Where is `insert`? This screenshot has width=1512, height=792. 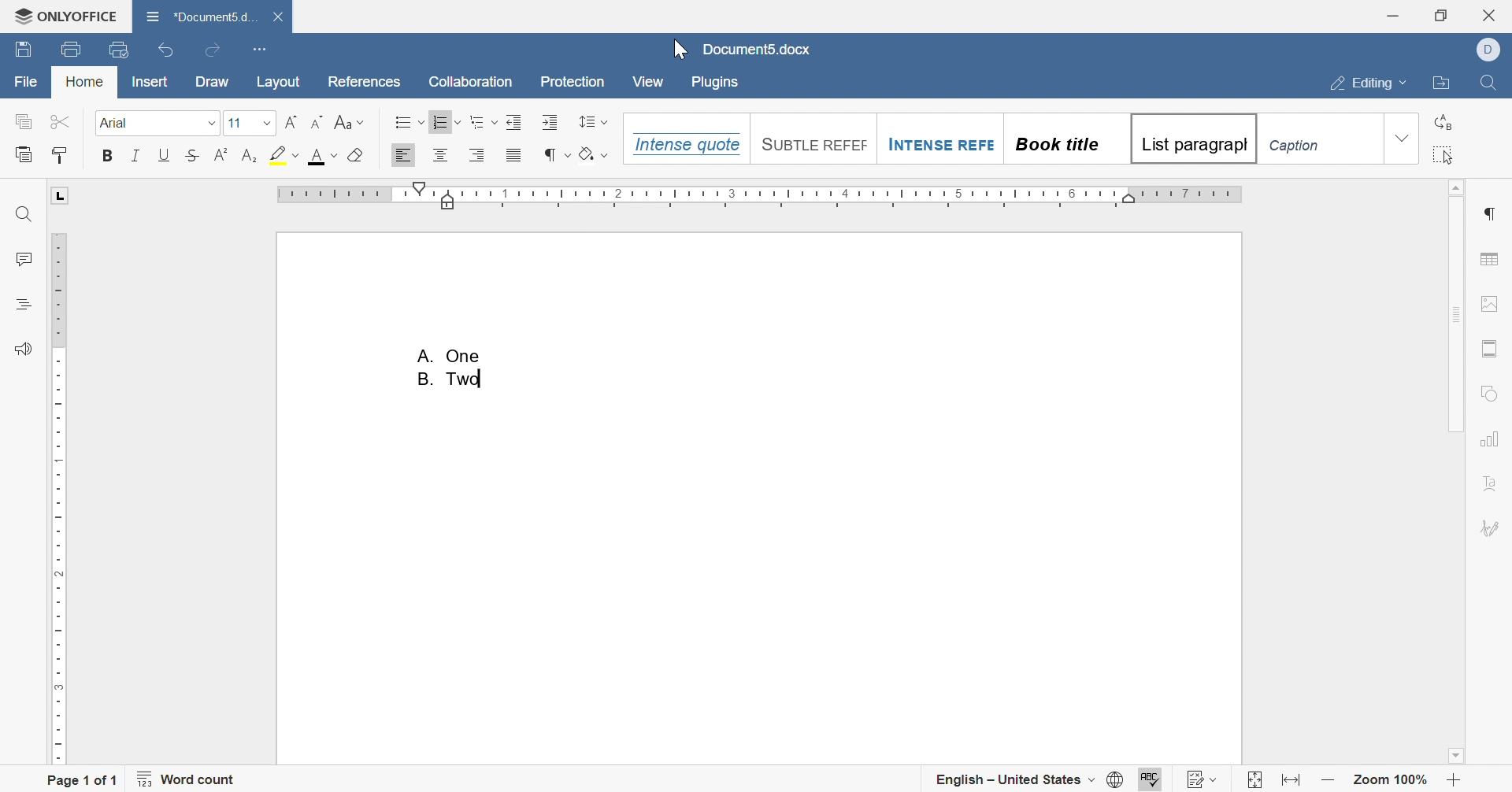
insert is located at coordinates (151, 83).